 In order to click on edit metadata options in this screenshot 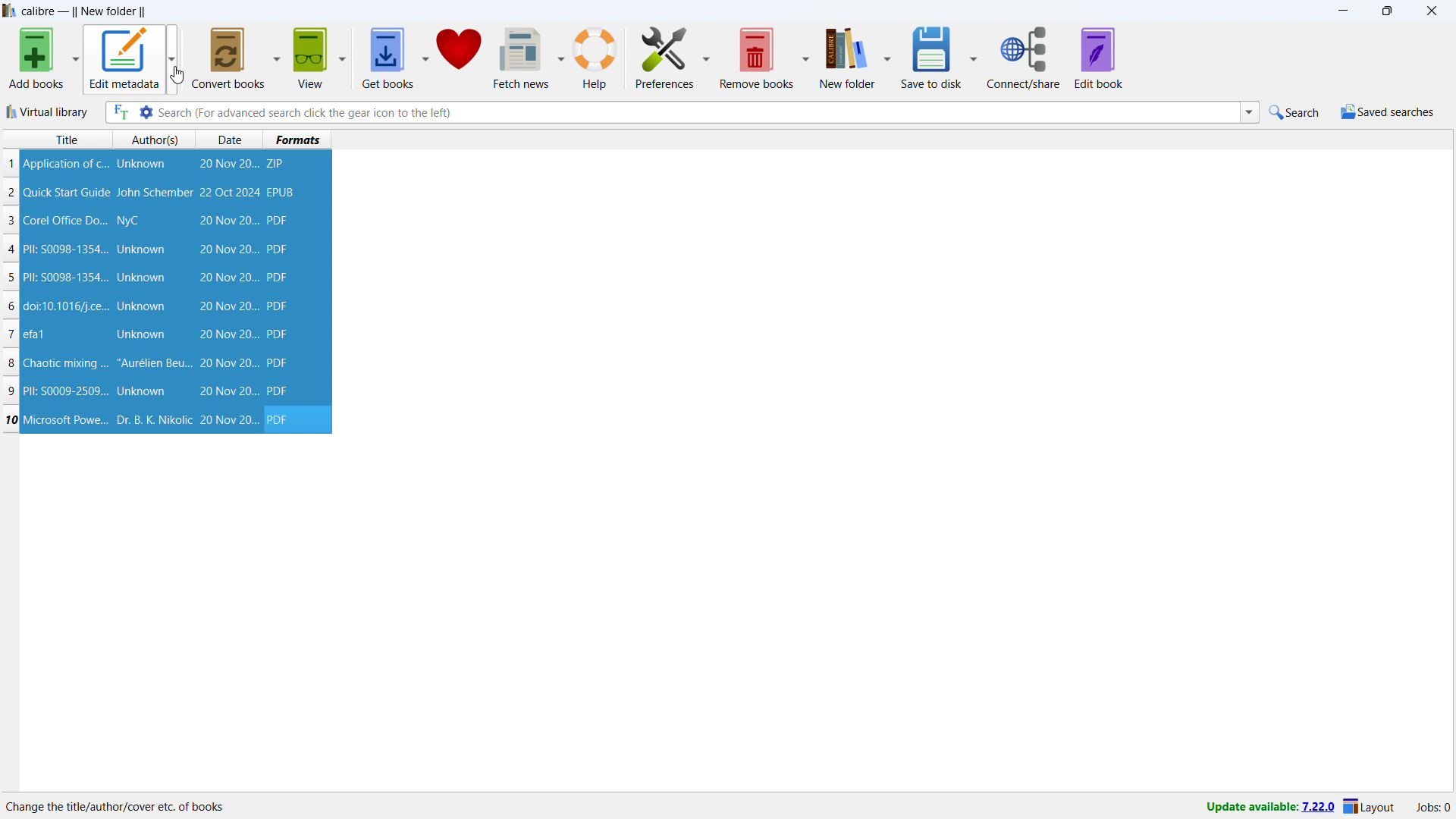, I will do `click(173, 57)`.